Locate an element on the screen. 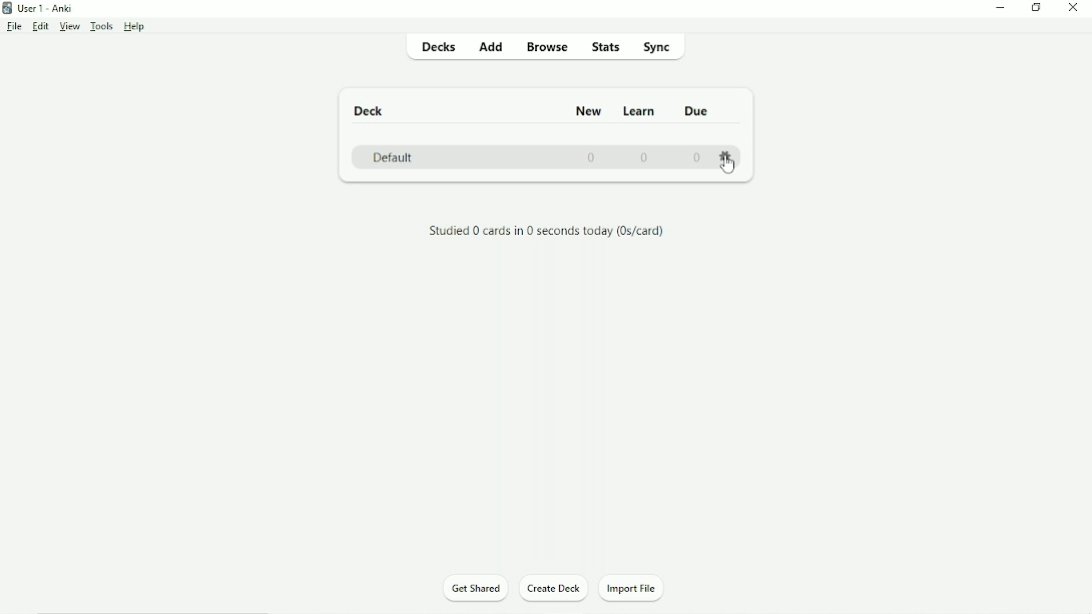  Close is located at coordinates (1074, 8).